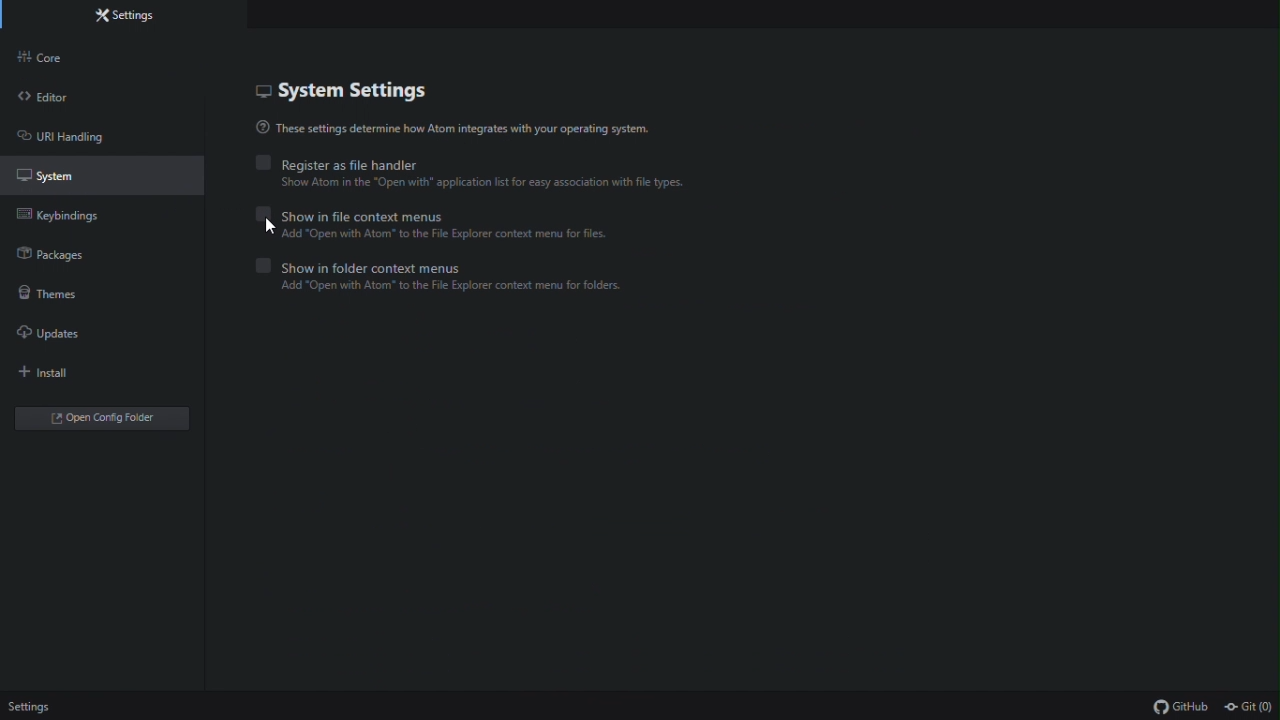 Image resolution: width=1280 pixels, height=720 pixels. Describe the element at coordinates (1180, 707) in the screenshot. I see `github` at that location.